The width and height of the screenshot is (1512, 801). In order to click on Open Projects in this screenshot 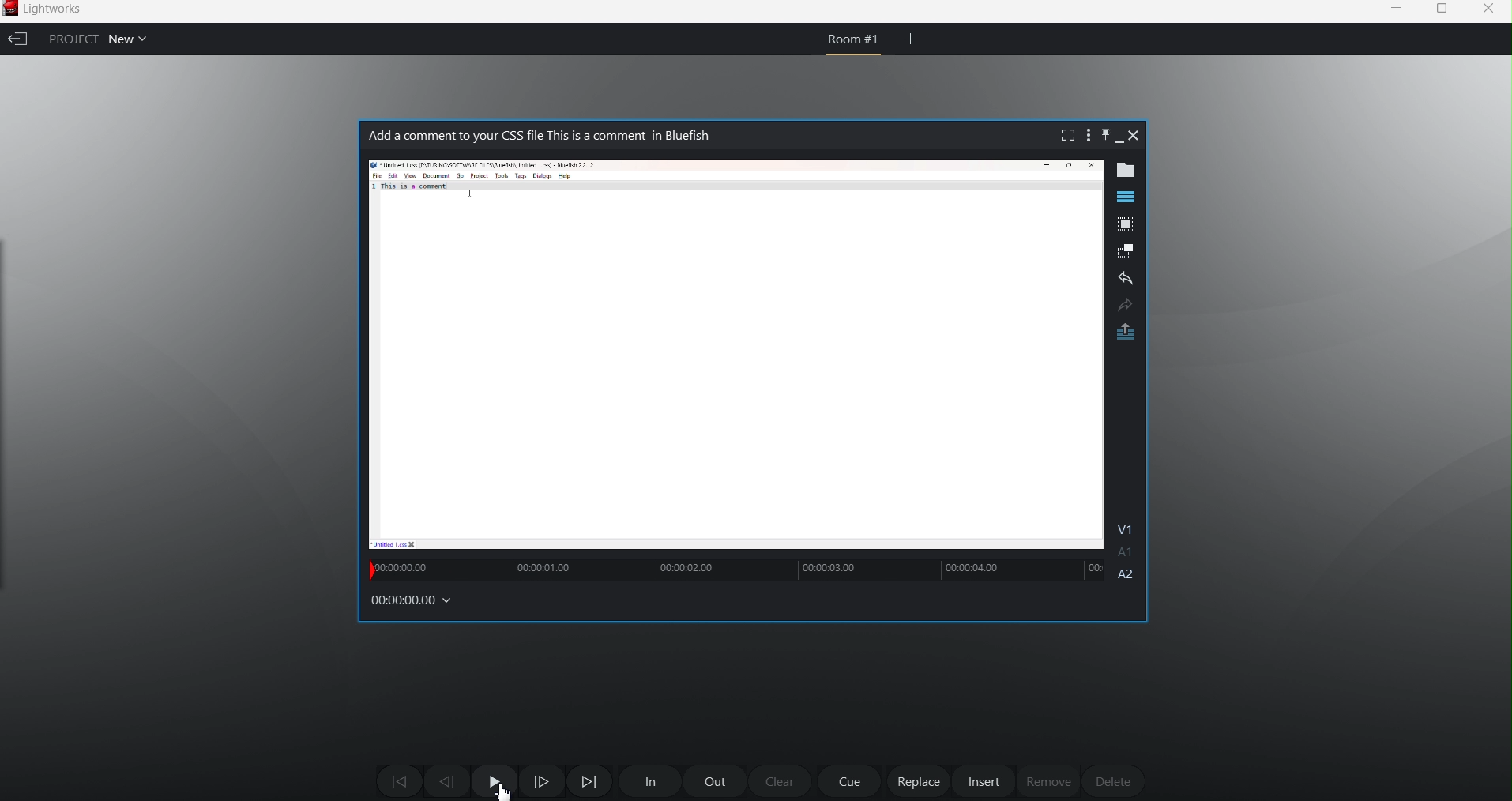, I will do `click(134, 38)`.